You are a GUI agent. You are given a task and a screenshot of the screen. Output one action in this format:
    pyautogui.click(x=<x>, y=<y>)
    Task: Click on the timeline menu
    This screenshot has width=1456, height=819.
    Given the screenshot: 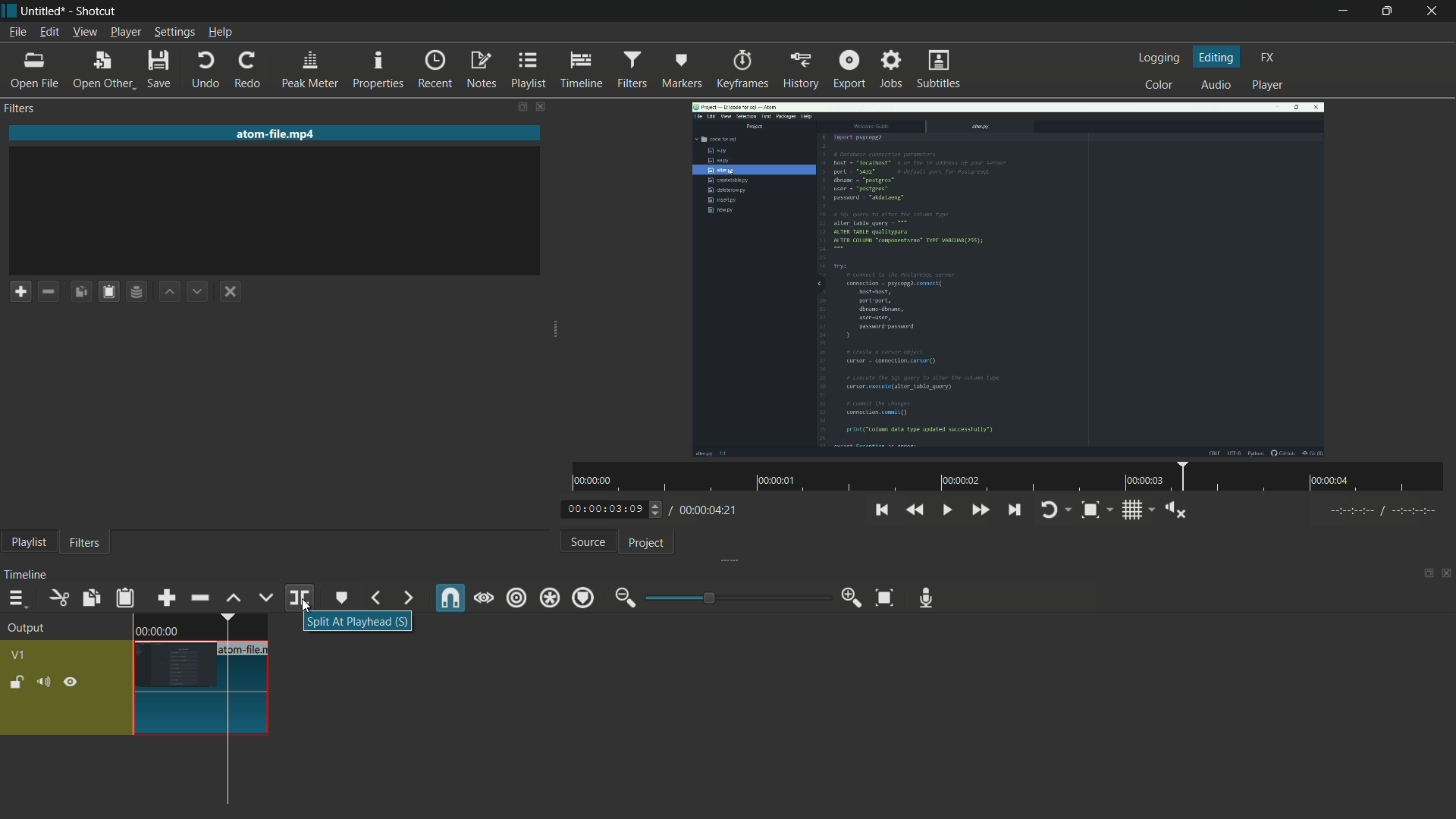 What is the action you would take?
    pyautogui.click(x=16, y=598)
    